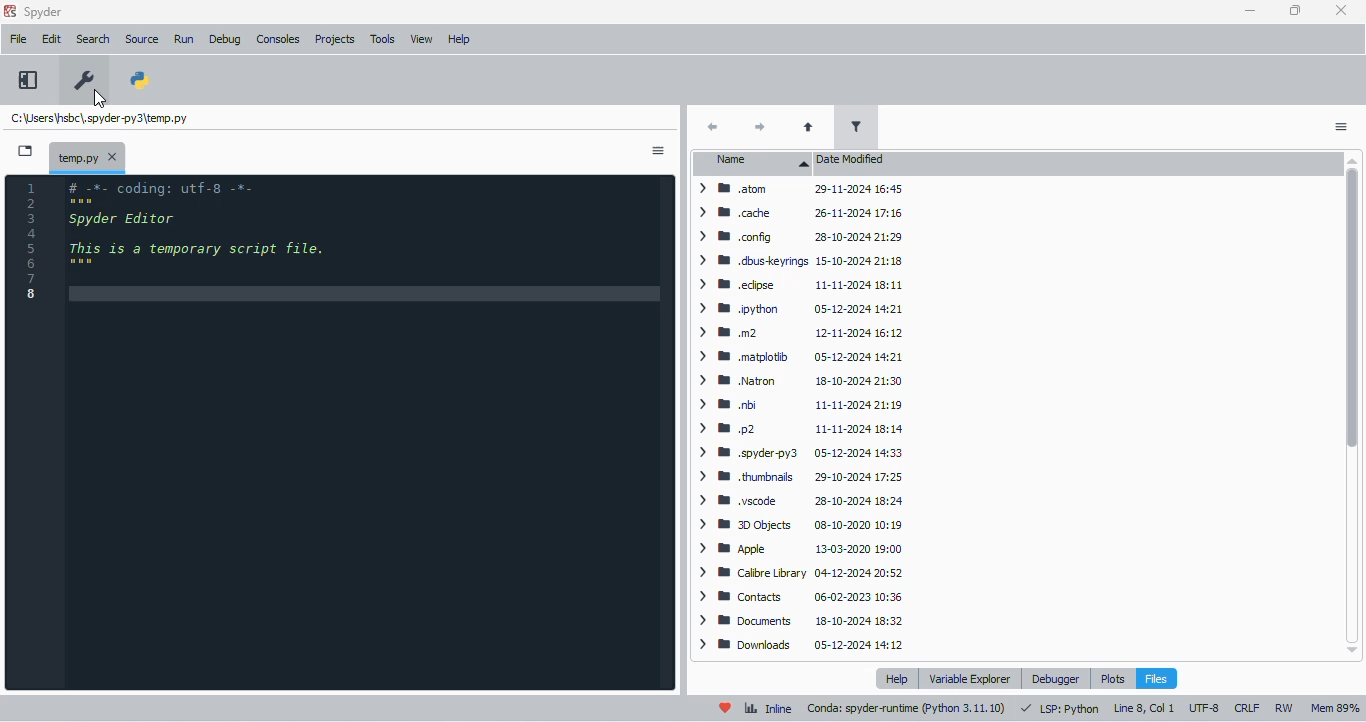 The image size is (1366, 722). What do you see at coordinates (278, 40) in the screenshot?
I see `consoles` at bounding box center [278, 40].